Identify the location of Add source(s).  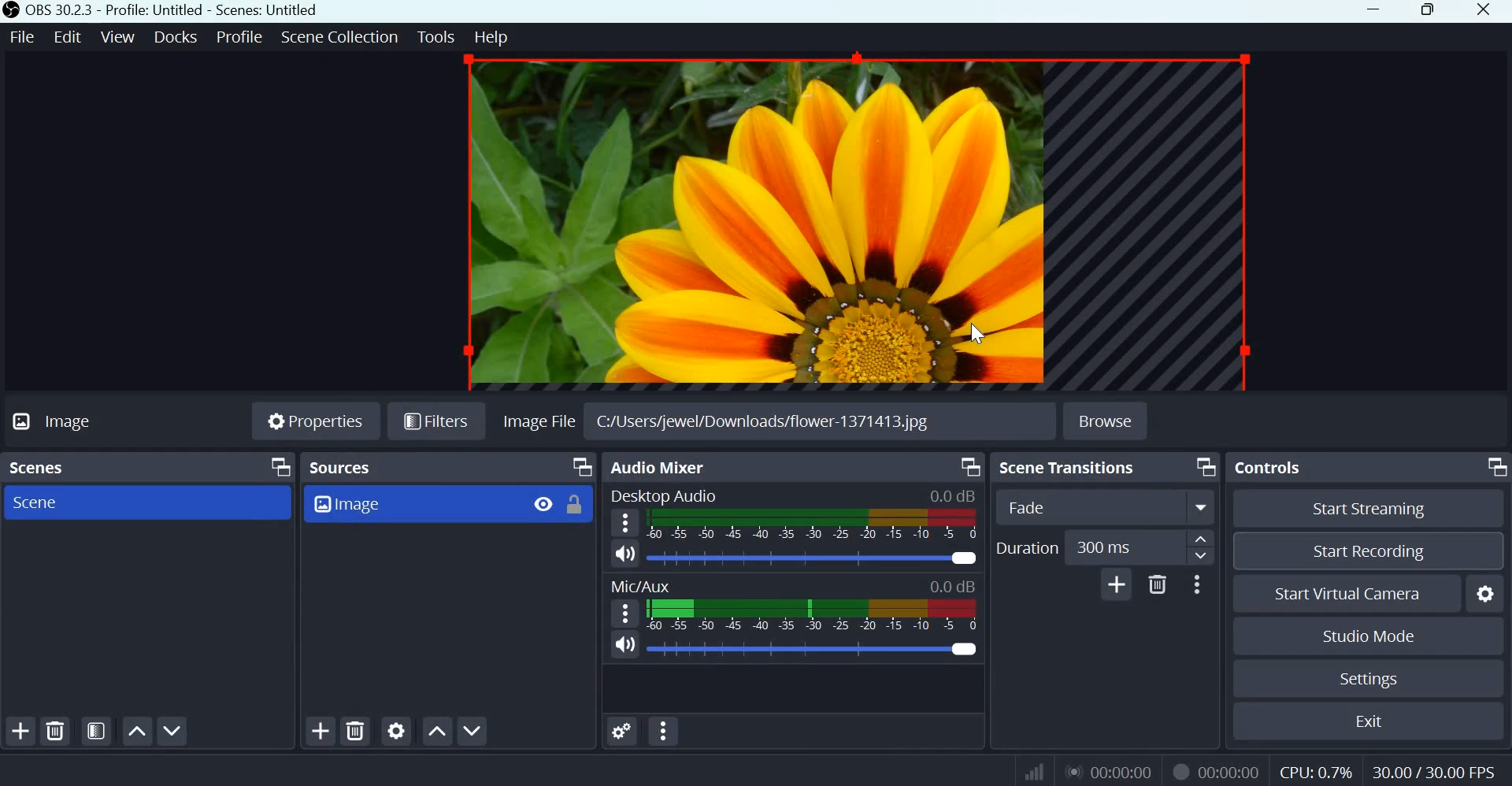
(323, 729).